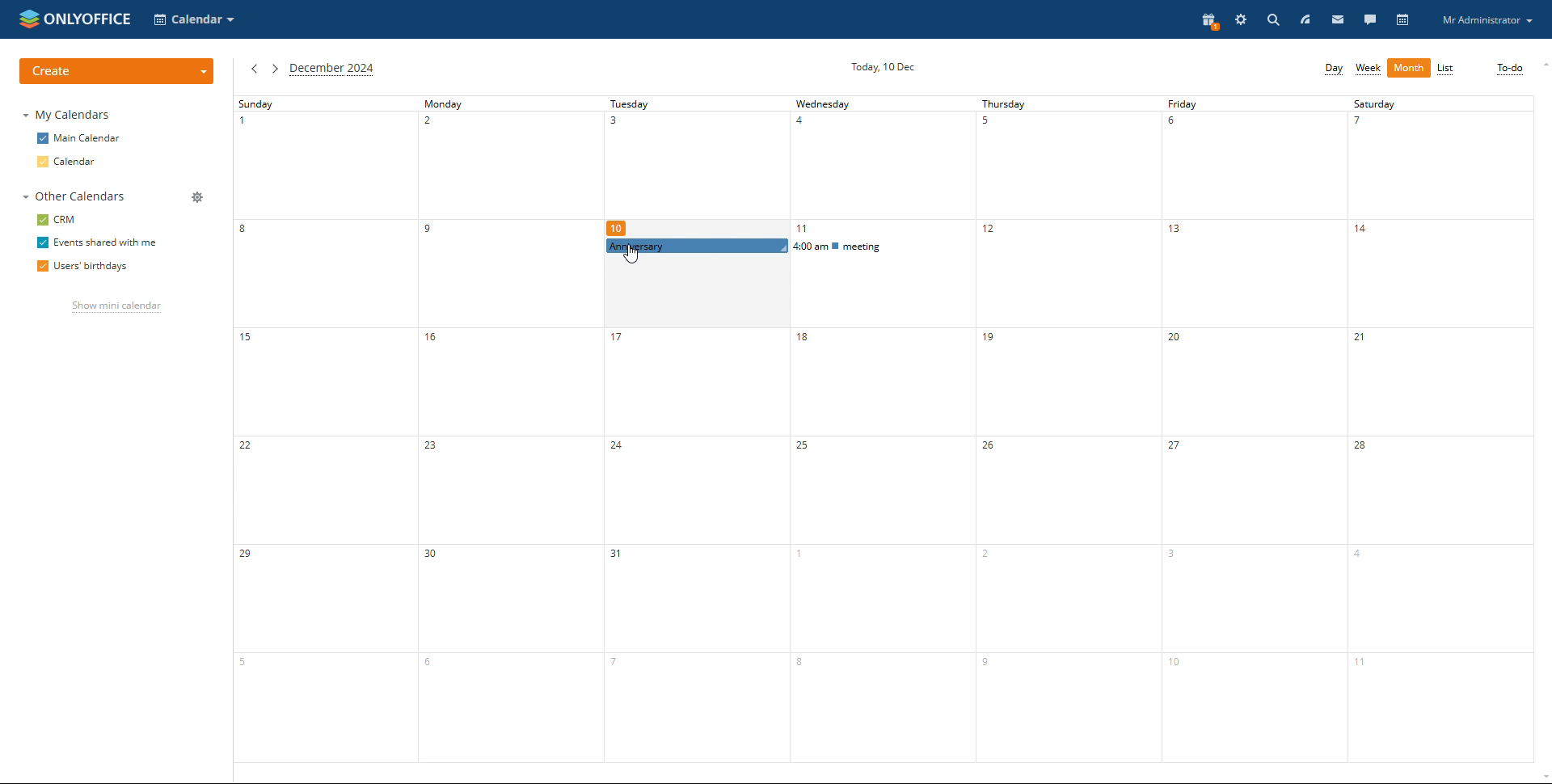 This screenshot has height=784, width=1552. I want to click on select application, so click(196, 19).